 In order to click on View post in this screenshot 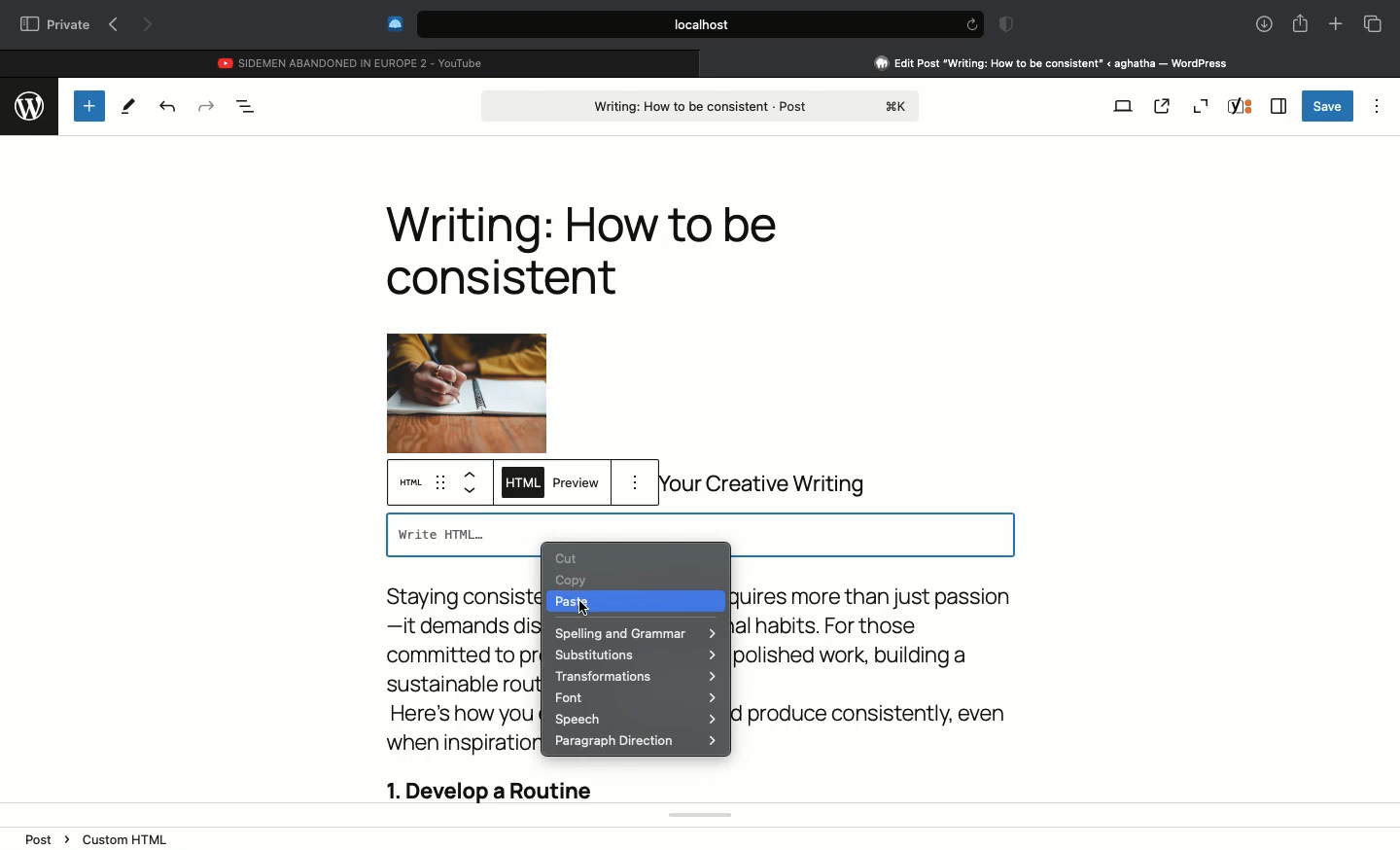, I will do `click(1162, 105)`.